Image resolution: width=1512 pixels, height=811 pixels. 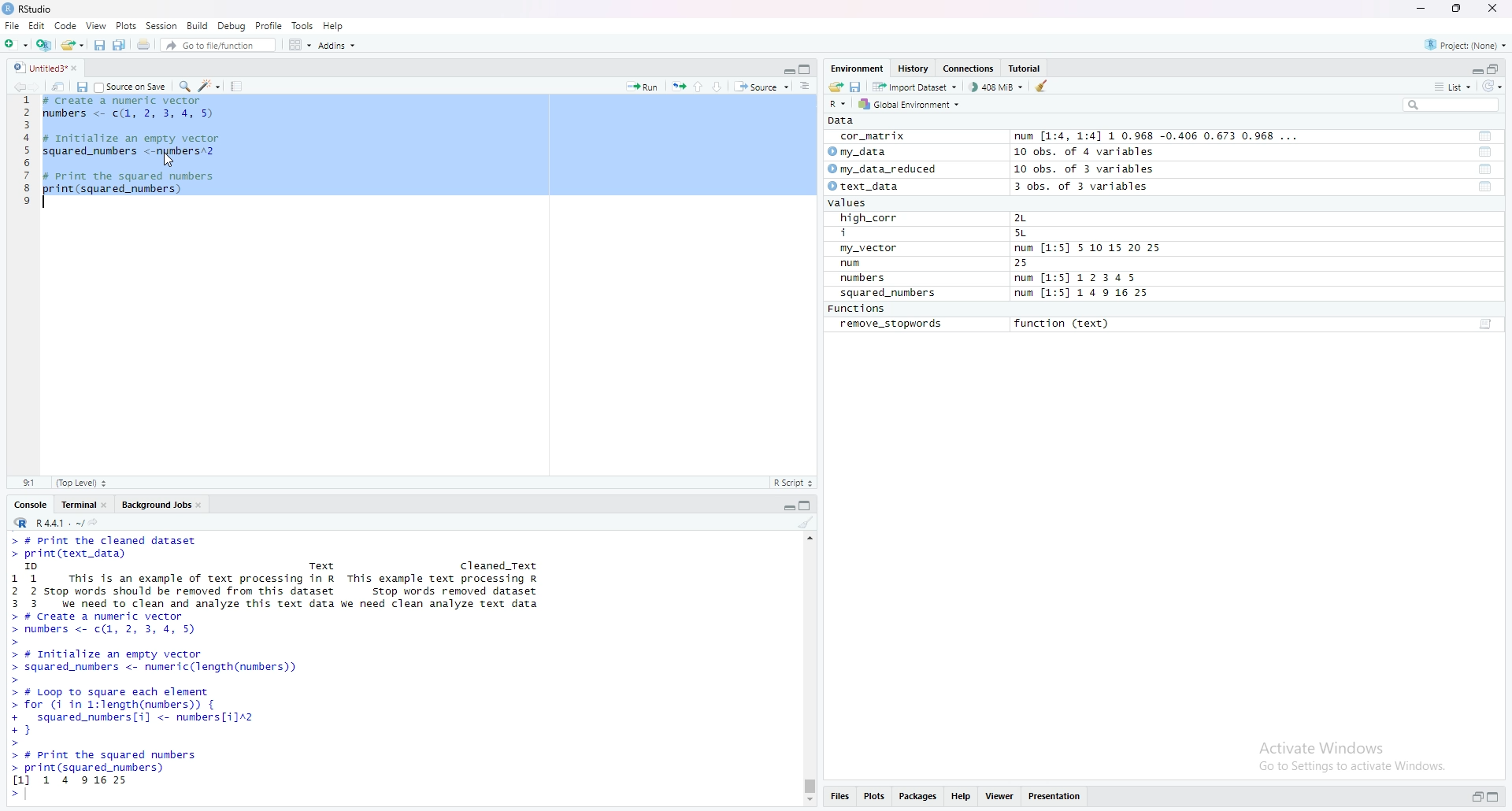 What do you see at coordinates (269, 25) in the screenshot?
I see `Profile` at bounding box center [269, 25].